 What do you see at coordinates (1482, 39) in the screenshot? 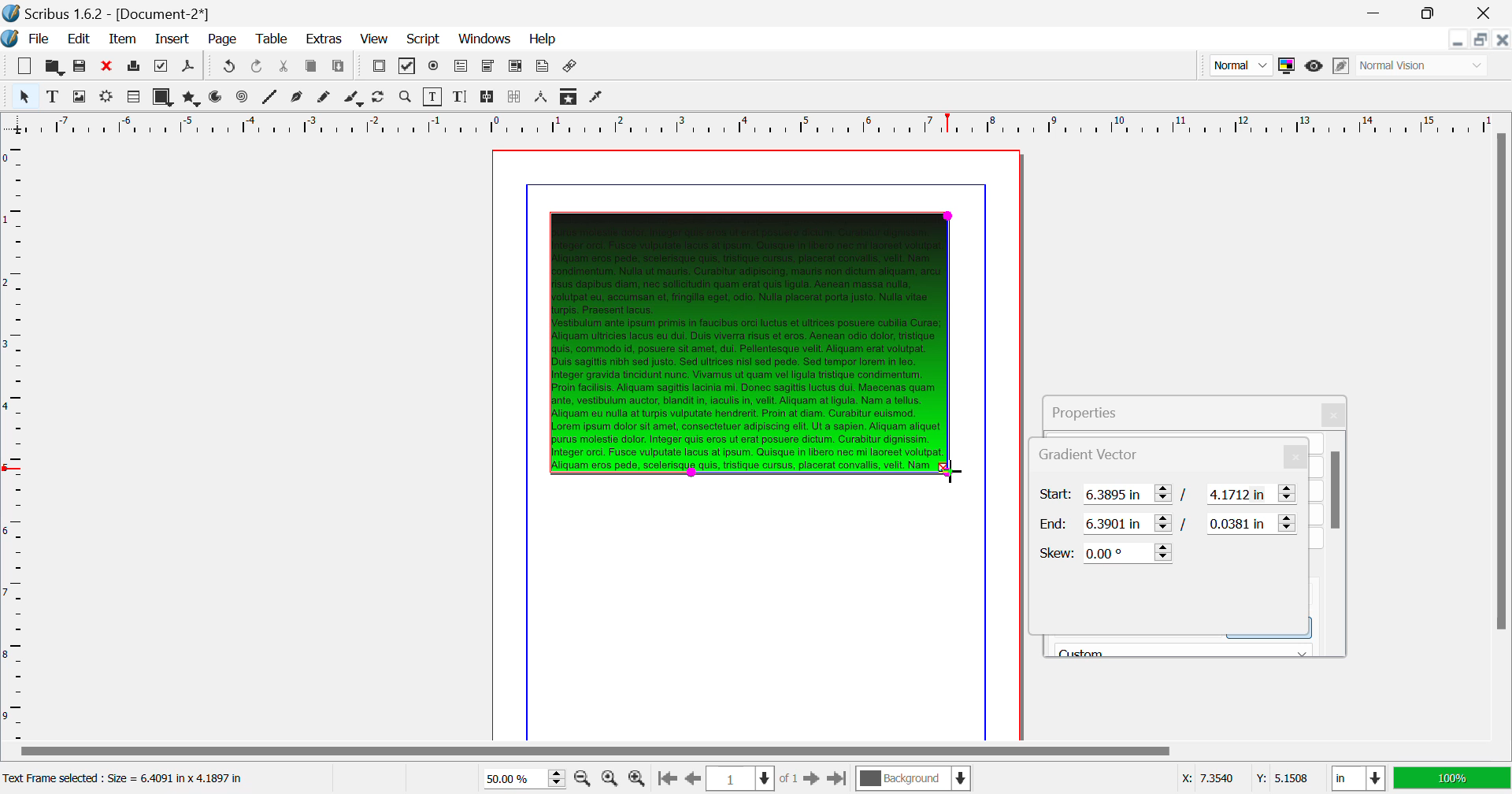
I see `Minimize` at bounding box center [1482, 39].